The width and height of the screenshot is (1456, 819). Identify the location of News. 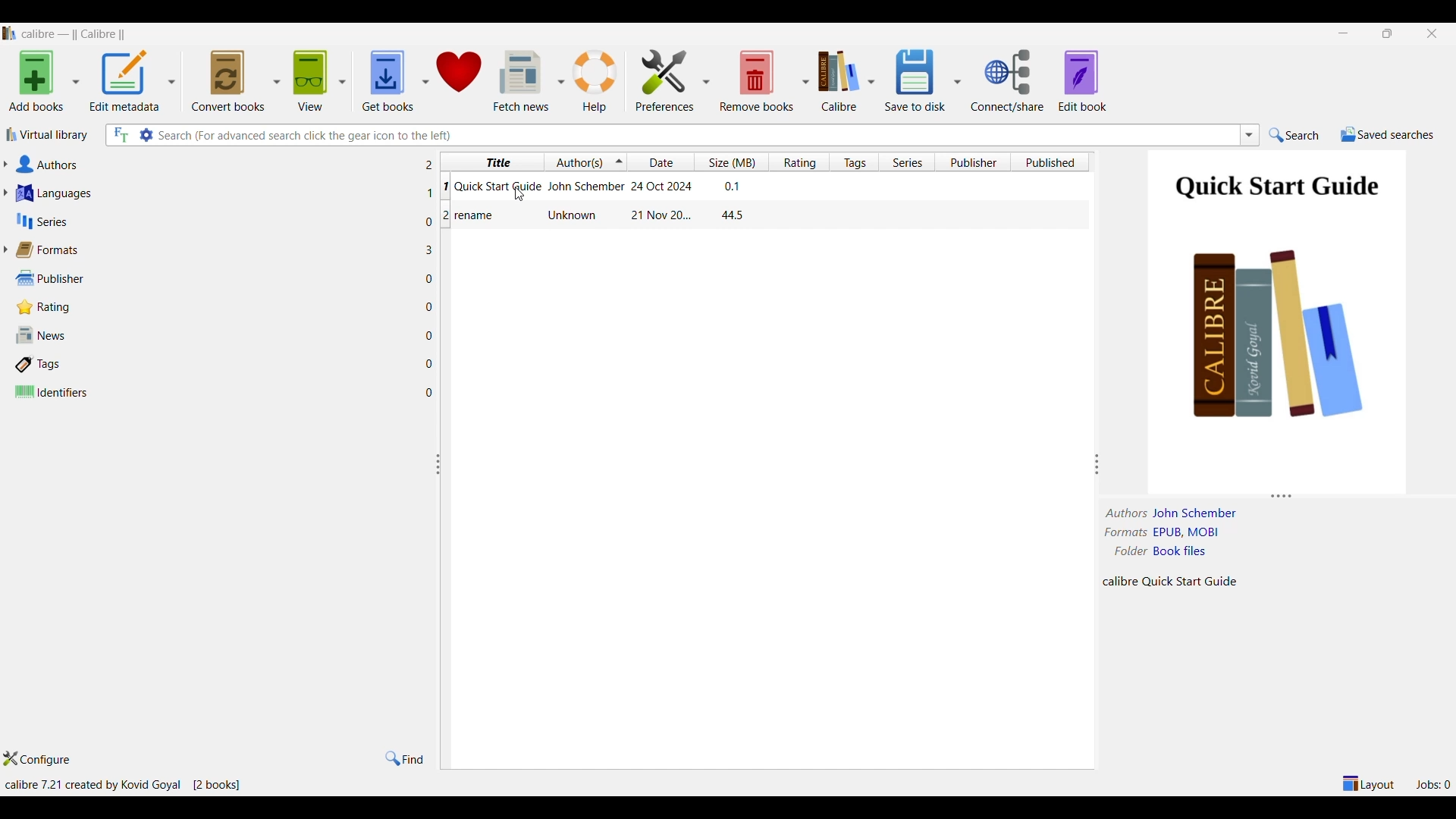
(213, 334).